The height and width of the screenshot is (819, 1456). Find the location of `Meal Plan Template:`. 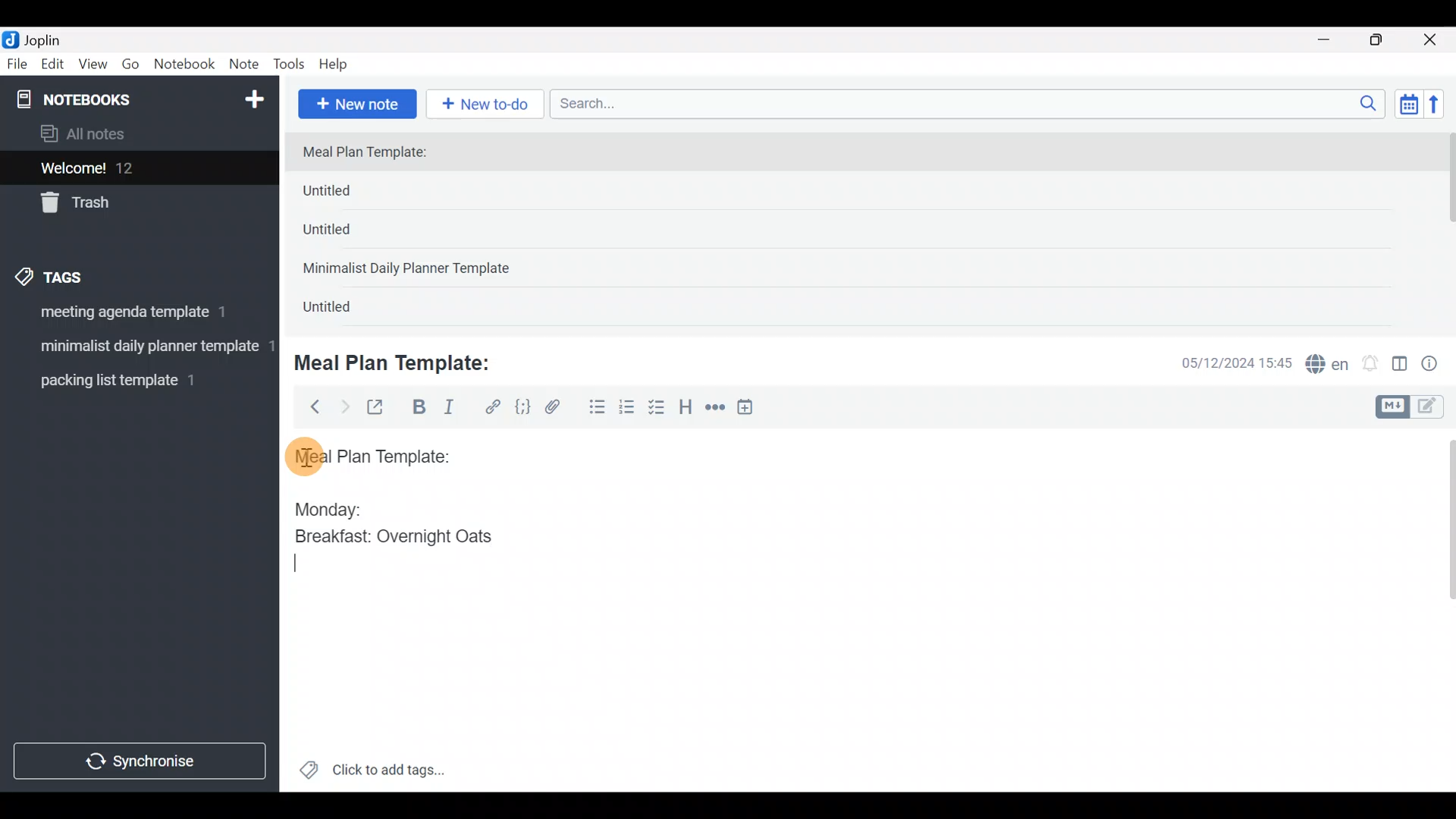

Meal Plan Template: is located at coordinates (402, 361).